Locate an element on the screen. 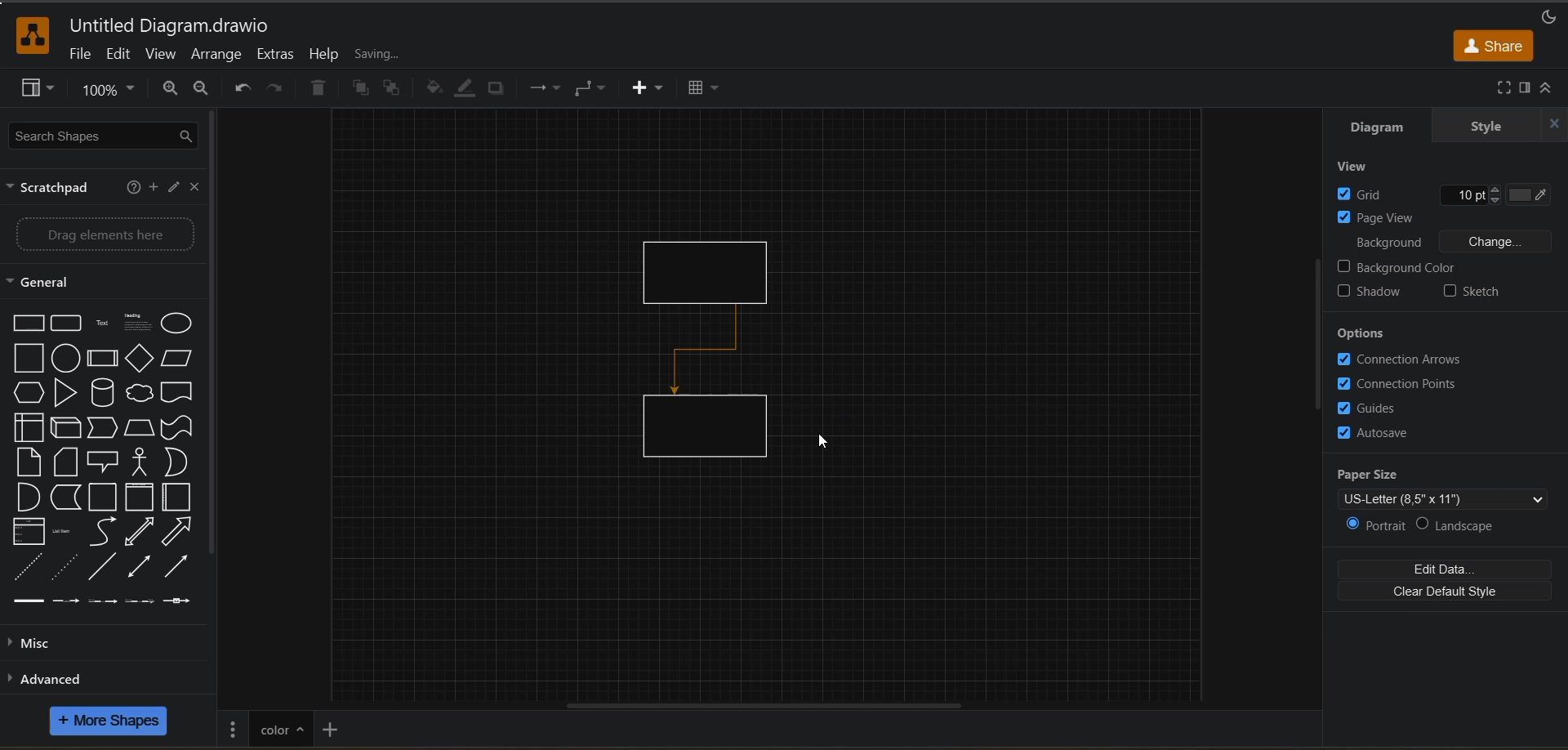  help is located at coordinates (131, 190).